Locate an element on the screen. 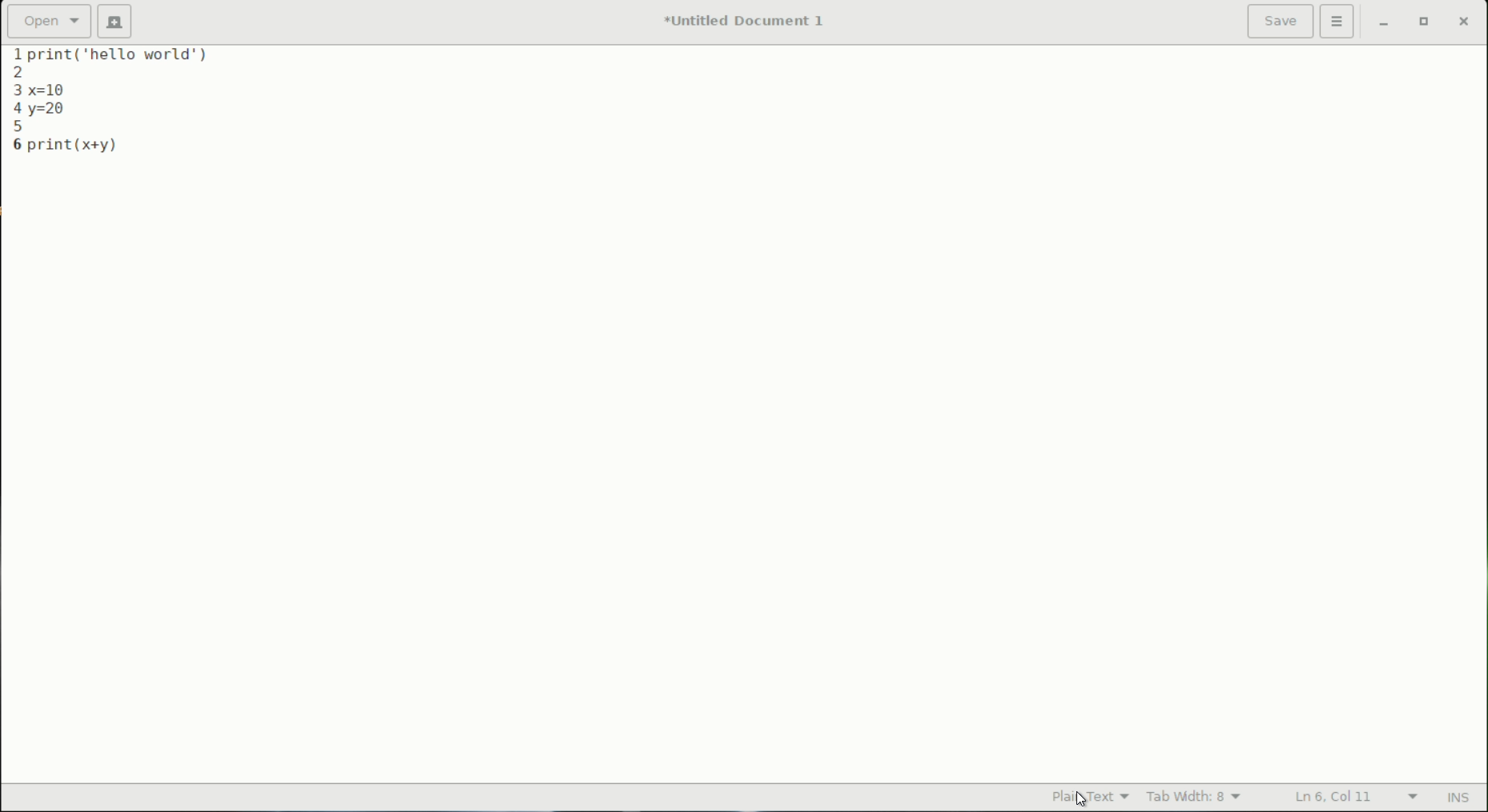  save is located at coordinates (1281, 21).